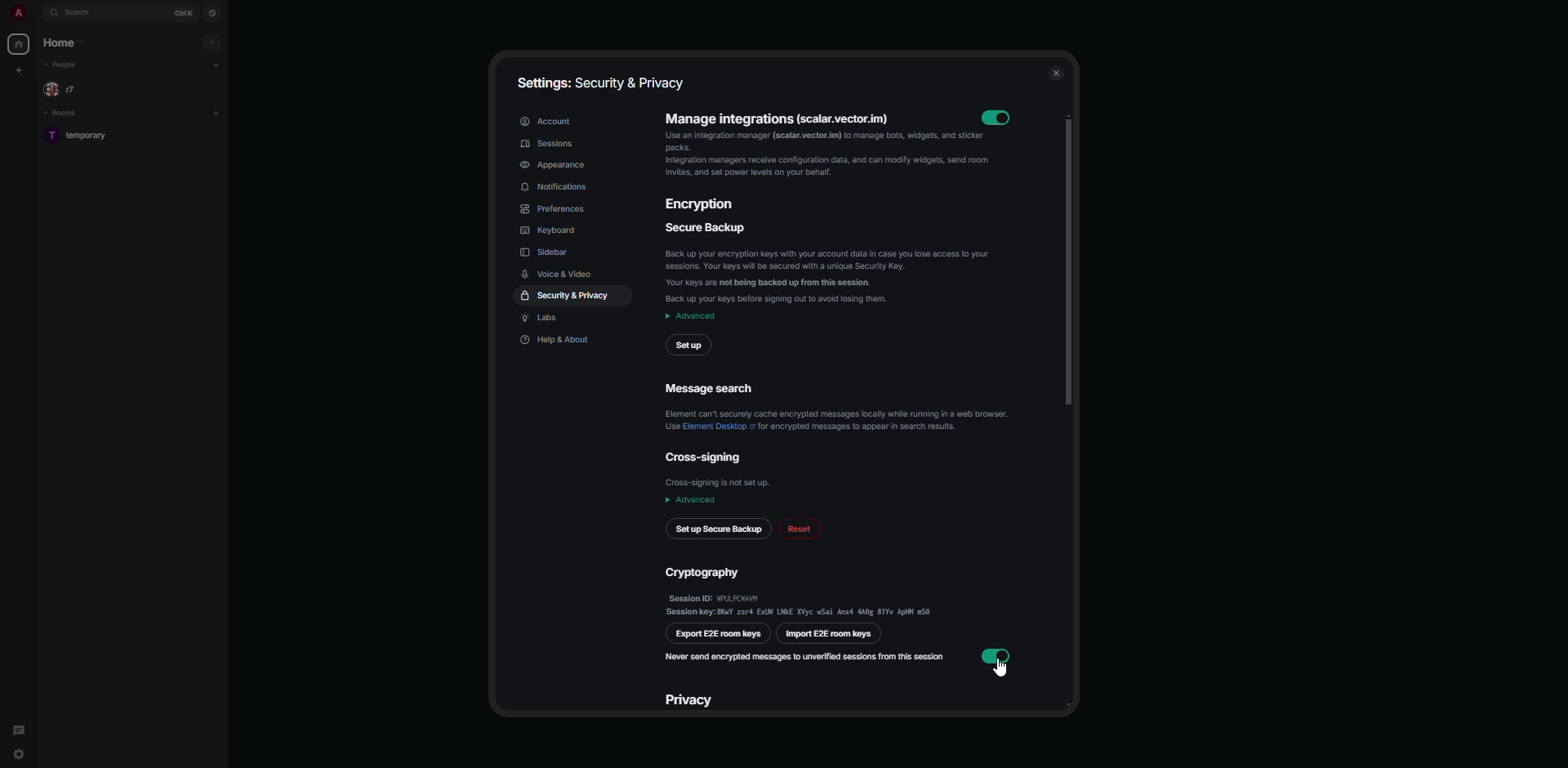 The image size is (1568, 768). What do you see at coordinates (565, 297) in the screenshot?
I see `security & privacy` at bounding box center [565, 297].